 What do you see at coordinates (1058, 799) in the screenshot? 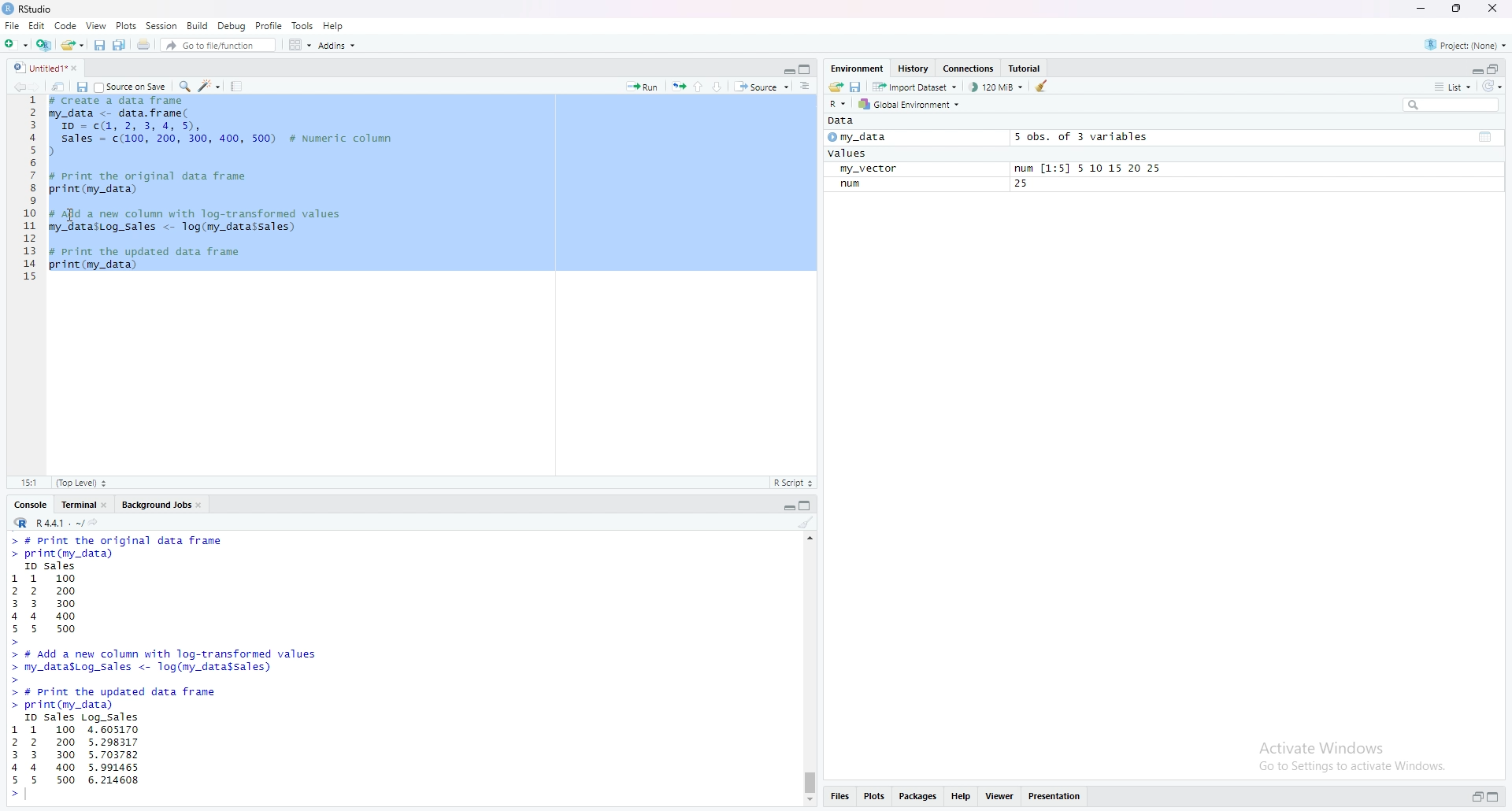
I see `presentation` at bounding box center [1058, 799].